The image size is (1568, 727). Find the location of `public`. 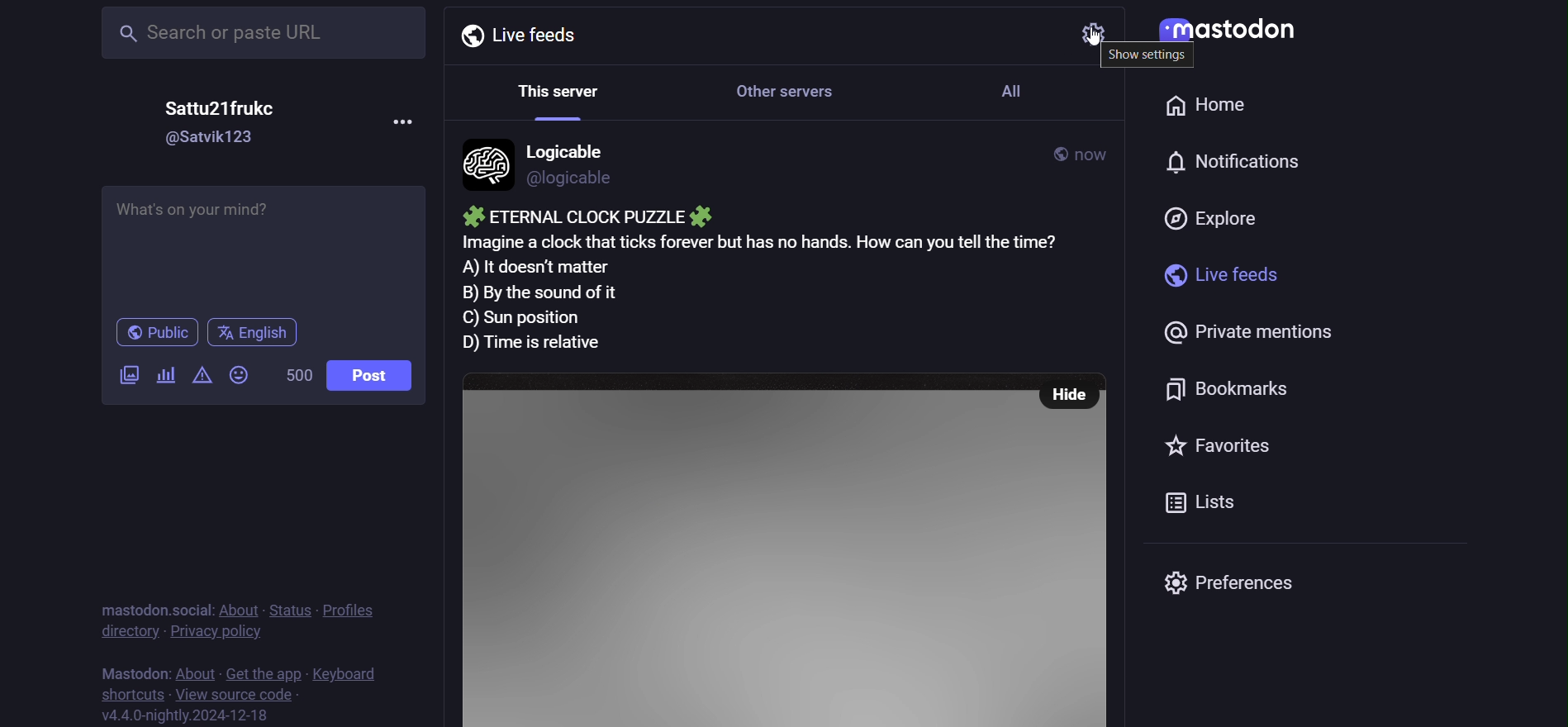

public is located at coordinates (158, 333).